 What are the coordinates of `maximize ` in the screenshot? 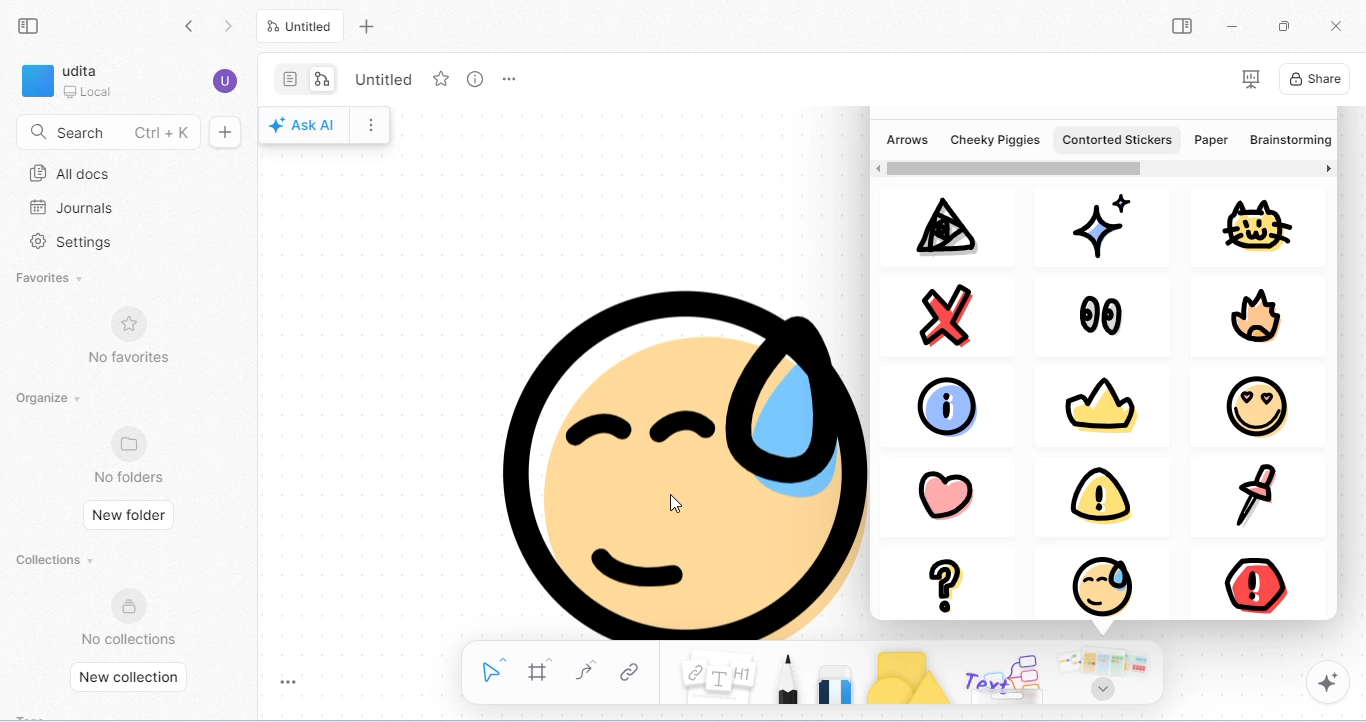 It's located at (1283, 25).